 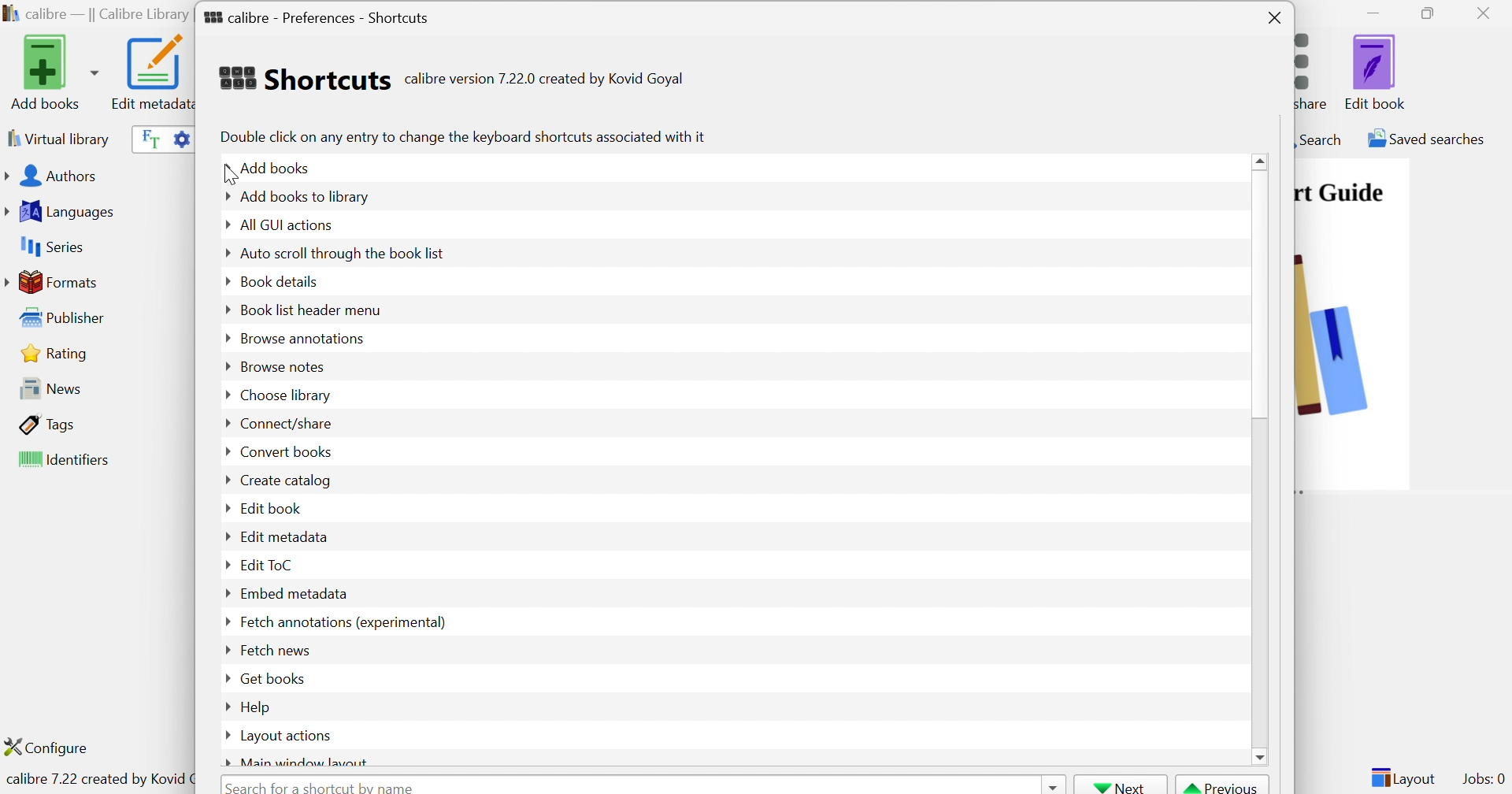 I want to click on Drop Down, so click(x=221, y=196).